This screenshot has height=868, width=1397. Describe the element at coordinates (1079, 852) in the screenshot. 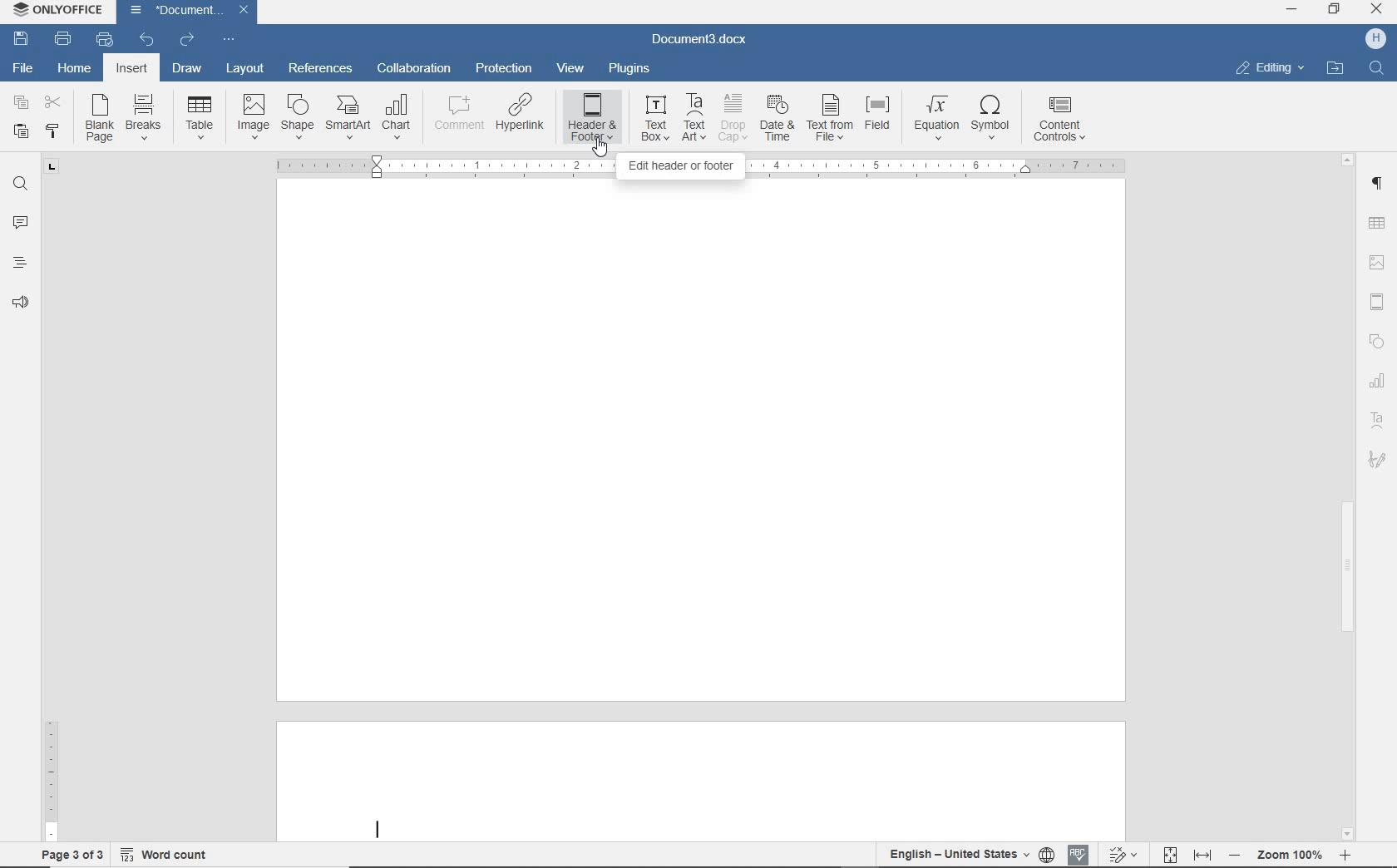

I see `Spell check` at that location.